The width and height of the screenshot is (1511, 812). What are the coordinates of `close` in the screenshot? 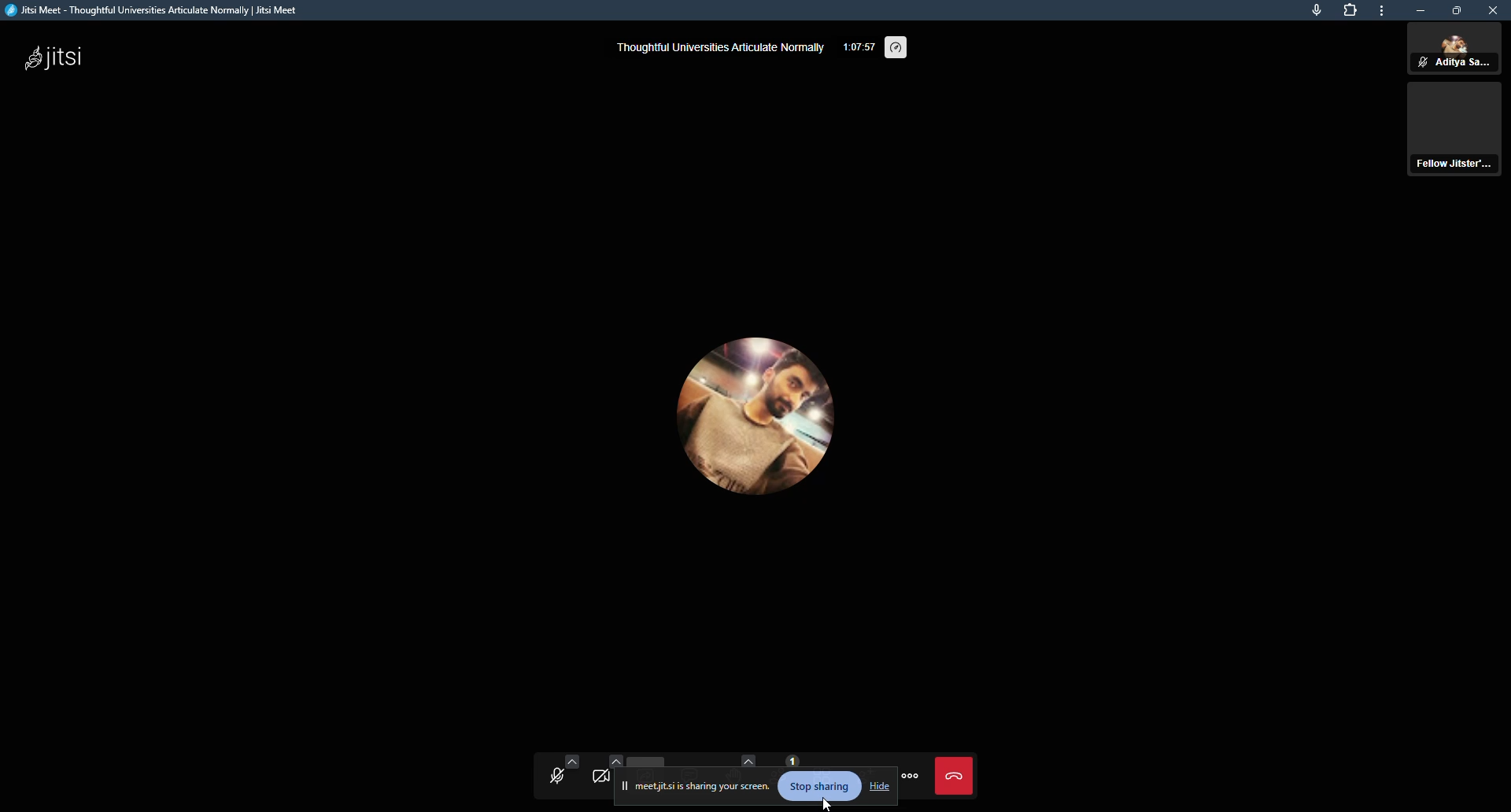 It's located at (1494, 11).